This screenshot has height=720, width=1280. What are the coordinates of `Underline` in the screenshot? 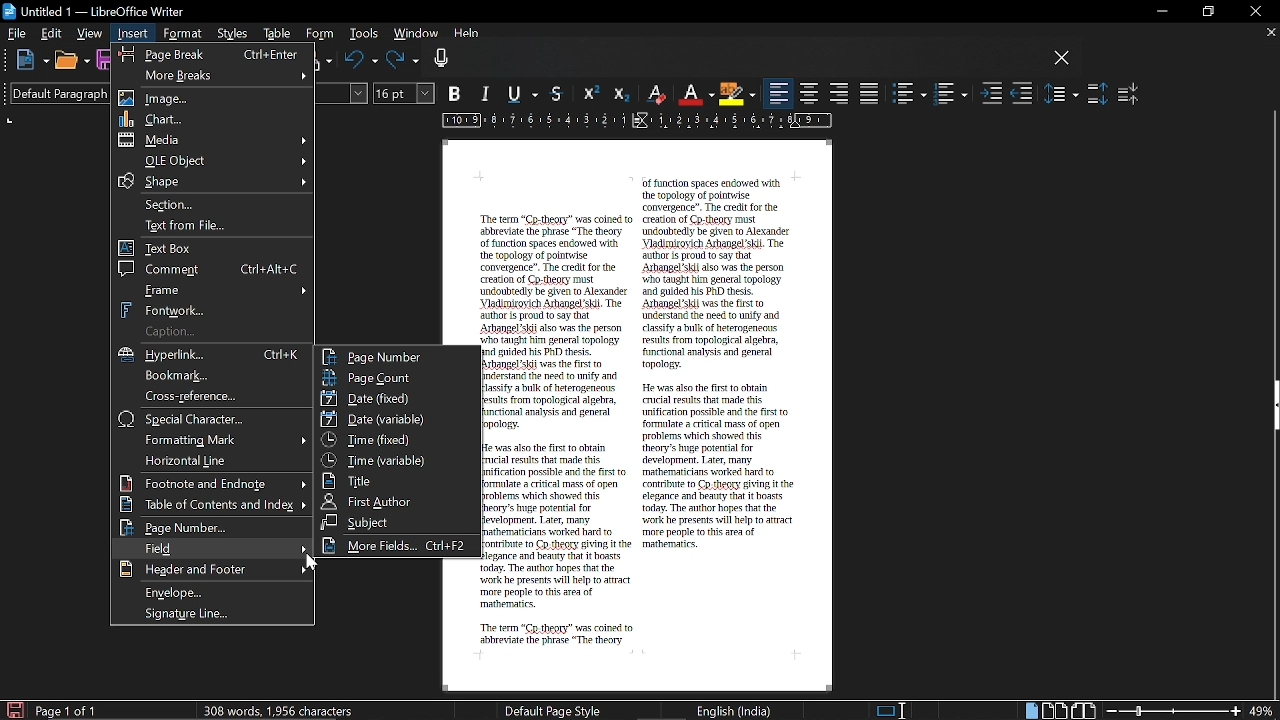 It's located at (696, 94).